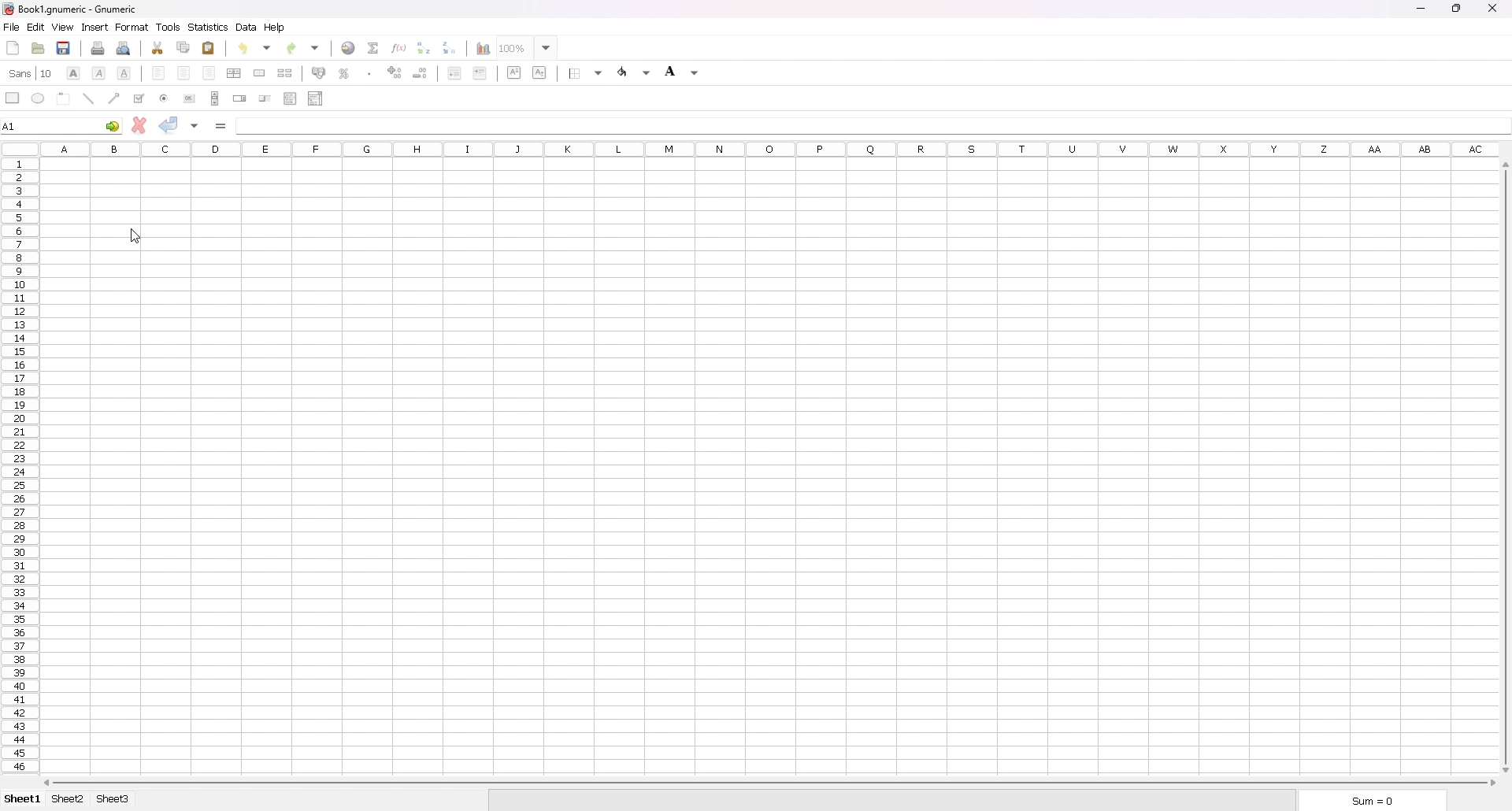  What do you see at coordinates (370, 72) in the screenshot?
I see `thousands separator` at bounding box center [370, 72].